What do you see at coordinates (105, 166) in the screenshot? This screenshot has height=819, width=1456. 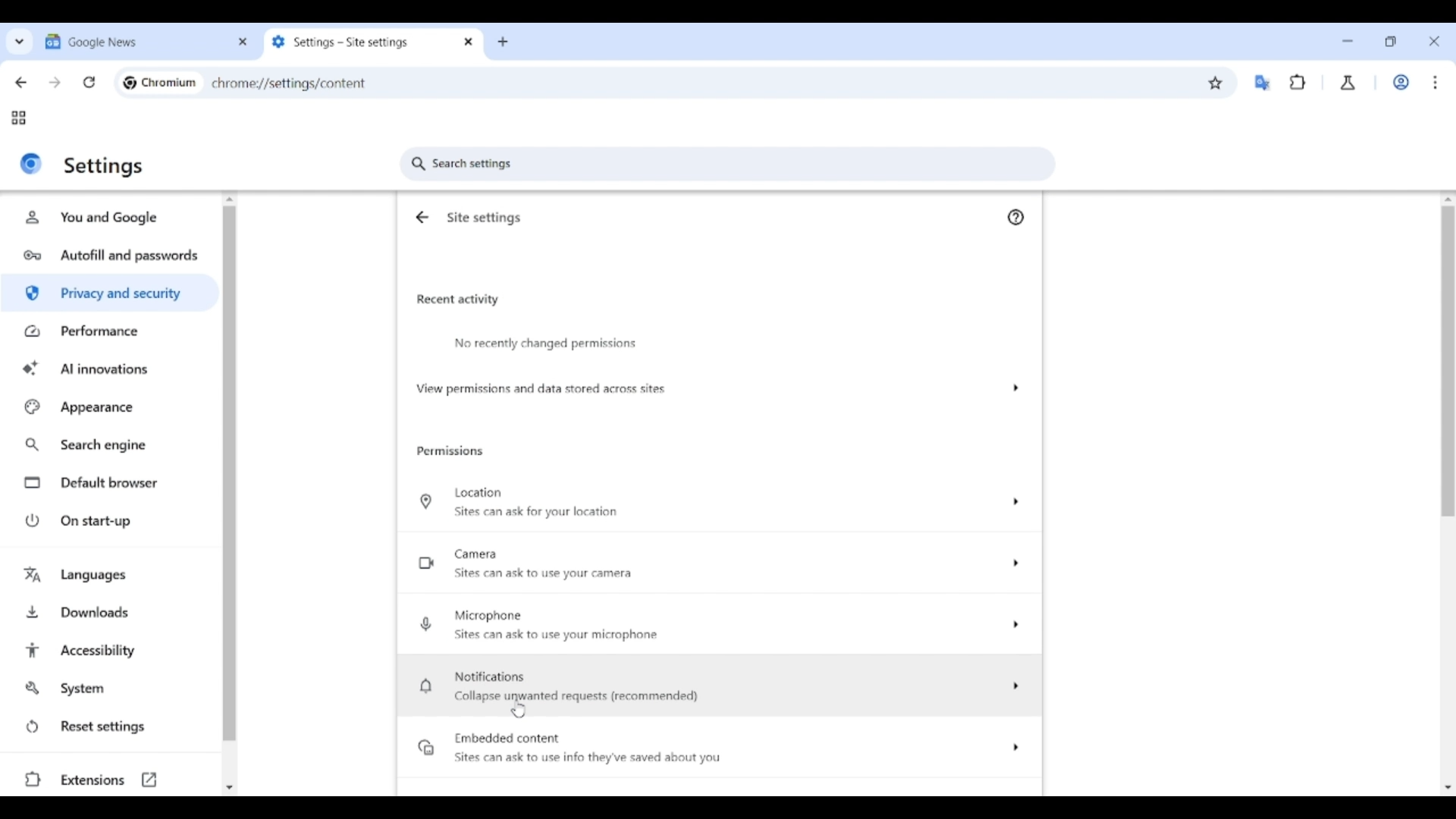 I see `Settings` at bounding box center [105, 166].